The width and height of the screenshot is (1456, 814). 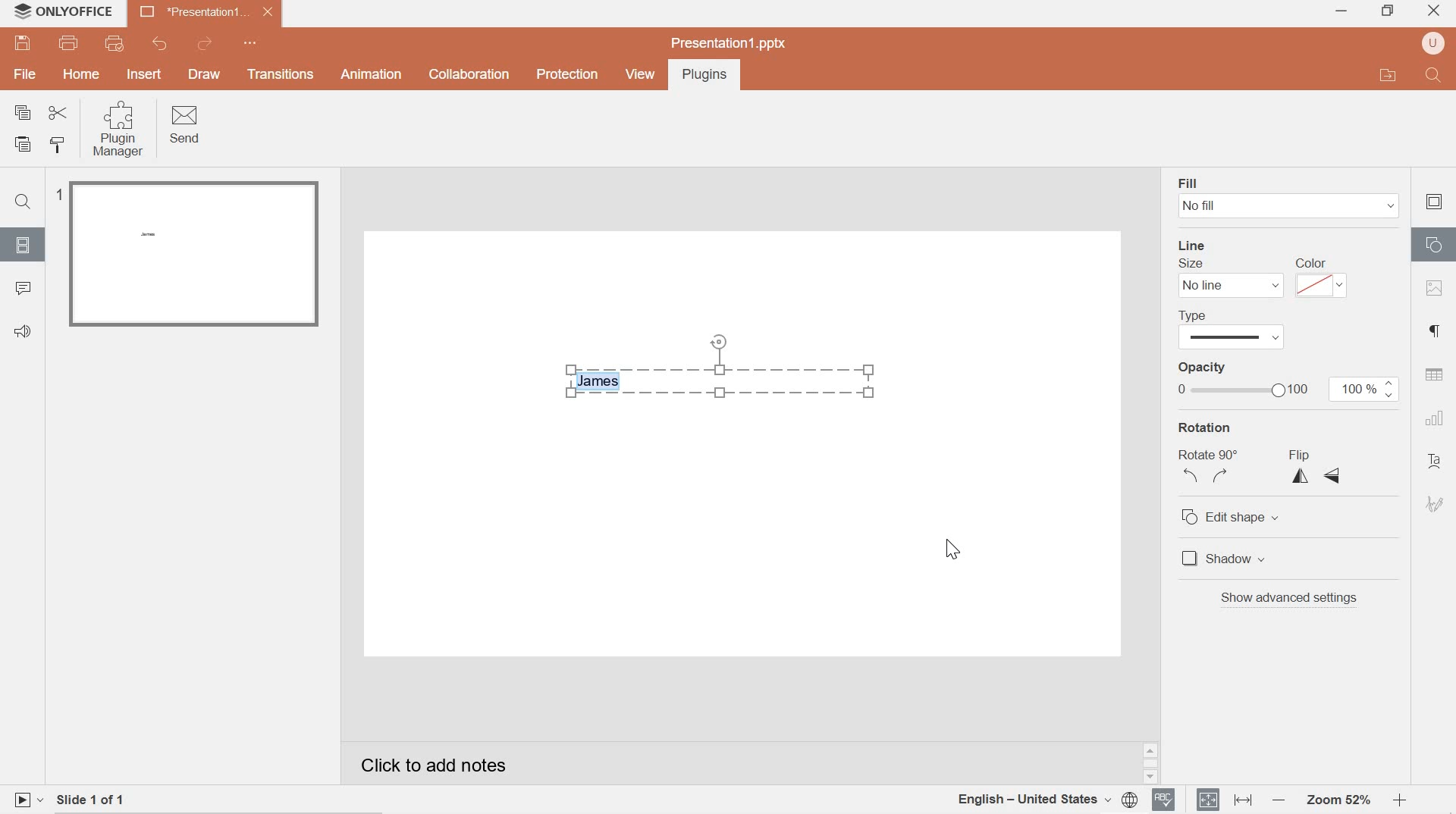 What do you see at coordinates (467, 75) in the screenshot?
I see `collaboration` at bounding box center [467, 75].